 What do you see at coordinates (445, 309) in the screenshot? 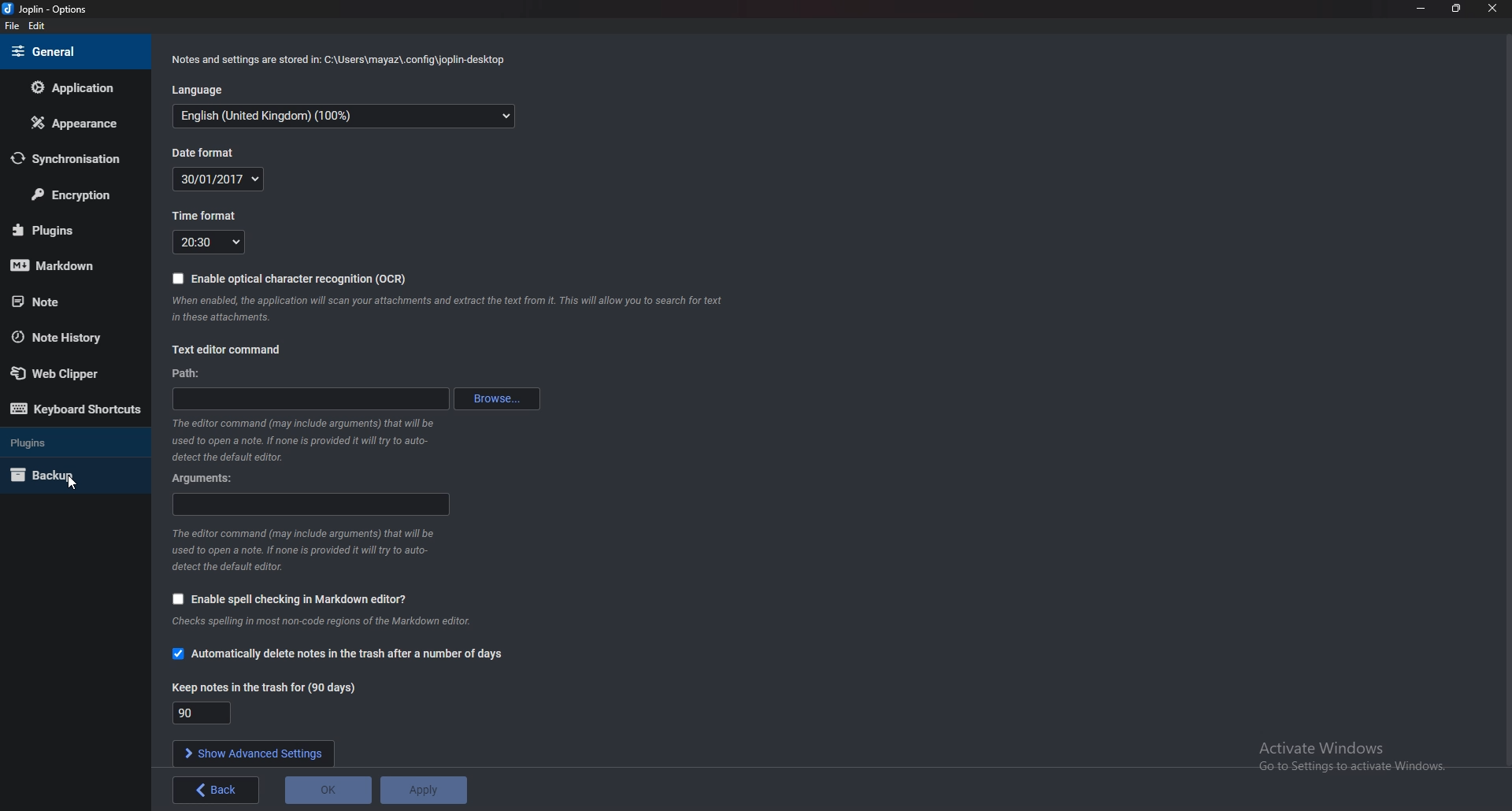
I see `info on ocr` at bounding box center [445, 309].